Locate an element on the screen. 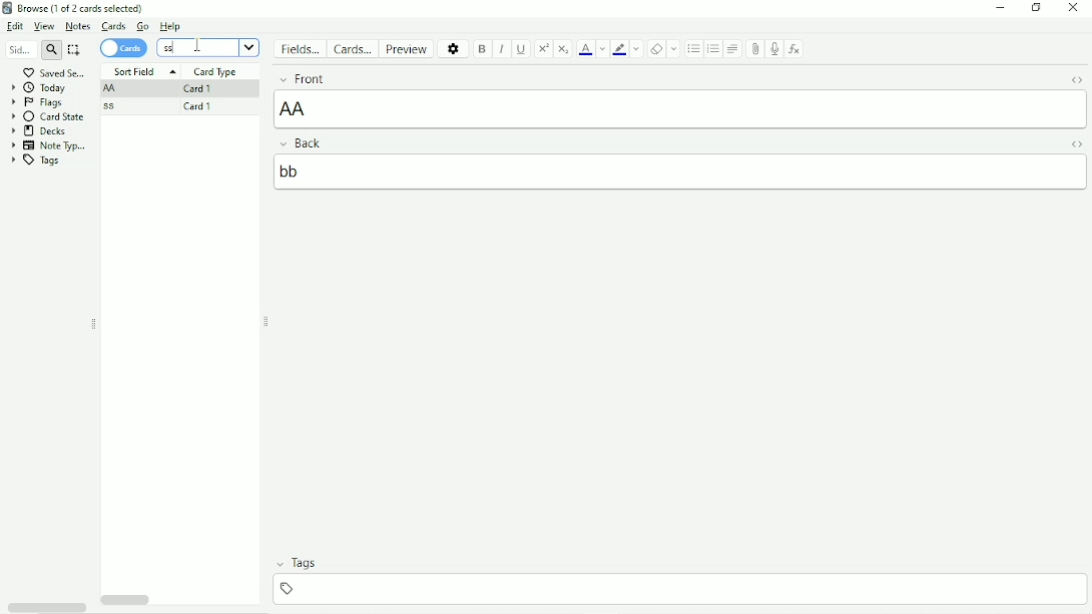  Front is located at coordinates (661, 77).